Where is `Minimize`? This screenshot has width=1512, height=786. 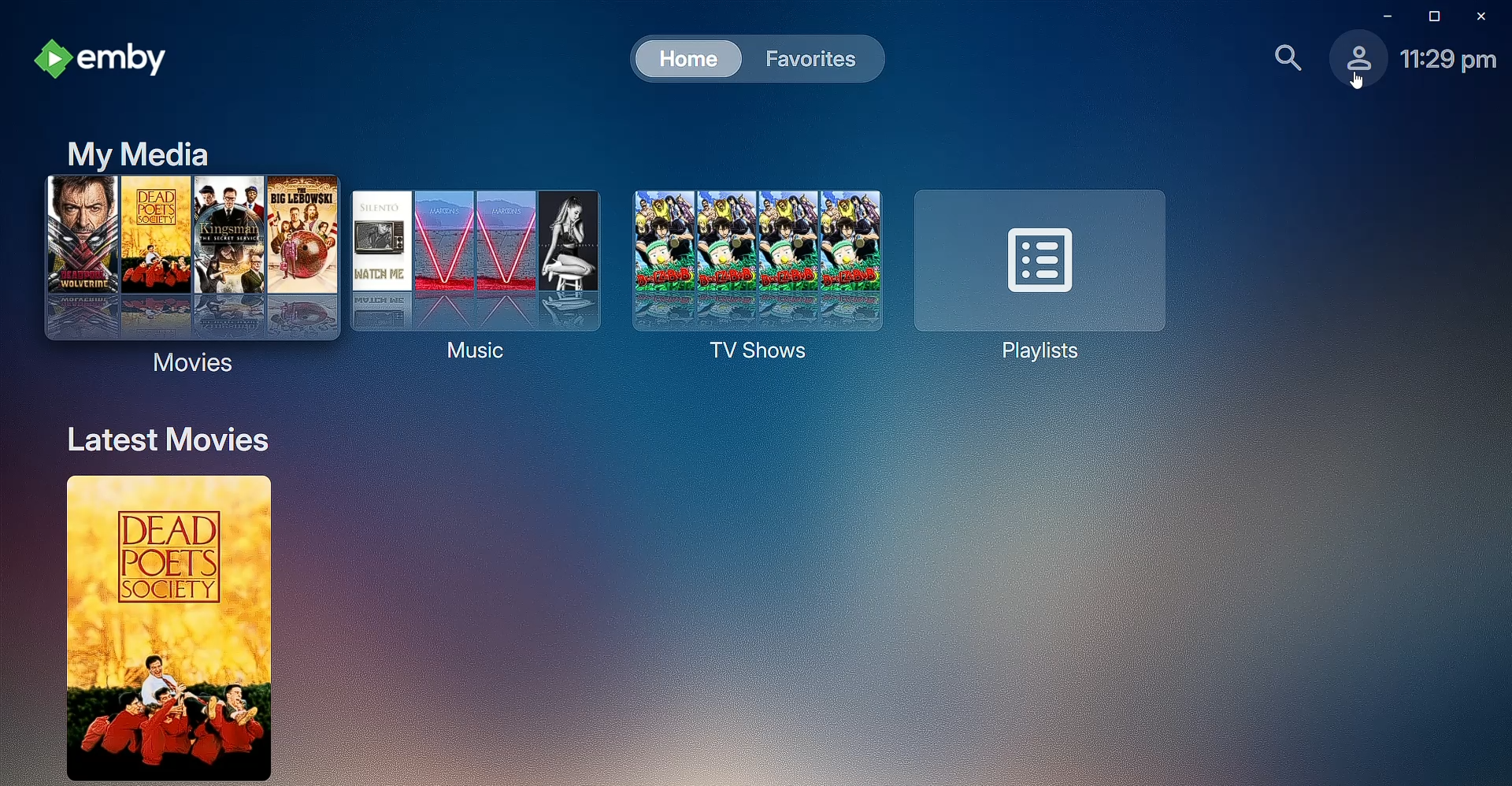
Minimize is located at coordinates (1380, 15).